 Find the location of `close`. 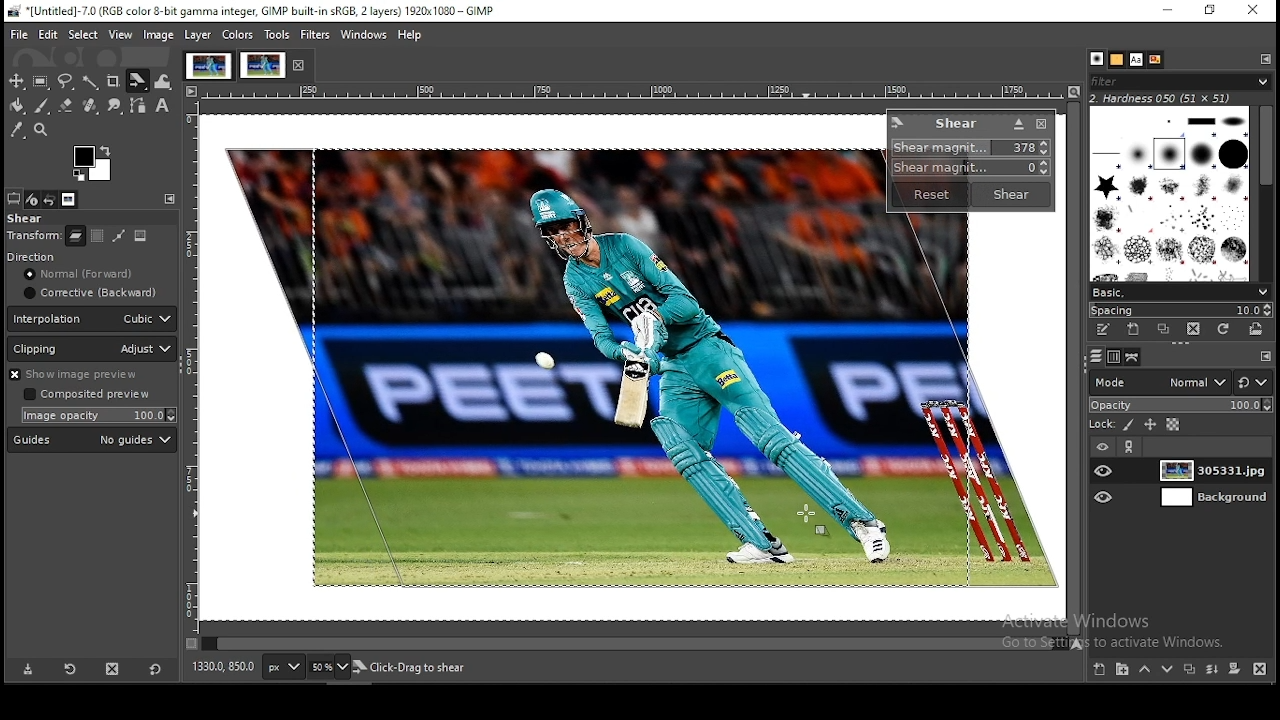

close is located at coordinates (1041, 126).